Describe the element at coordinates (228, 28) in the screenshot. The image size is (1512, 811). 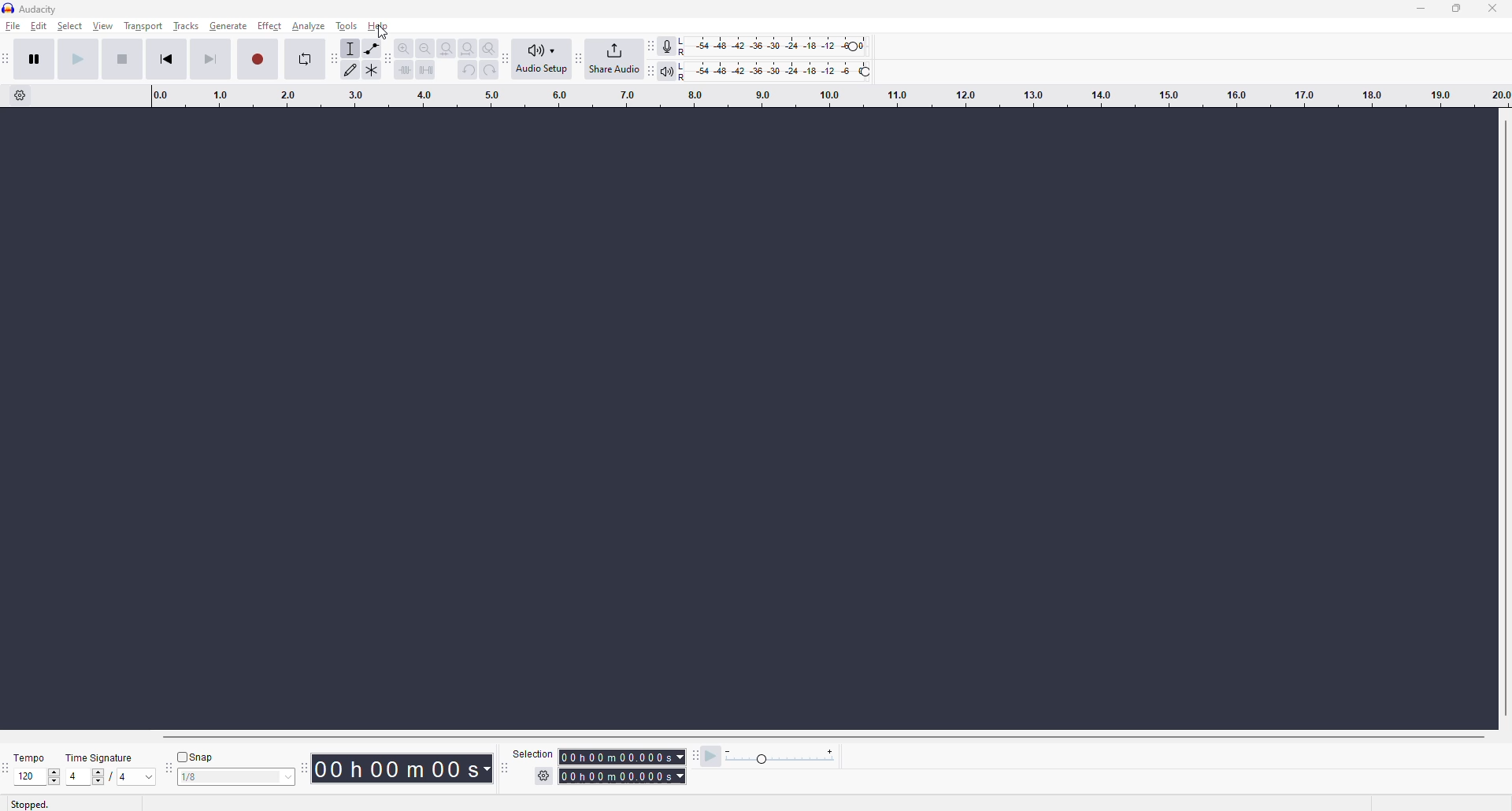
I see `generate` at that location.